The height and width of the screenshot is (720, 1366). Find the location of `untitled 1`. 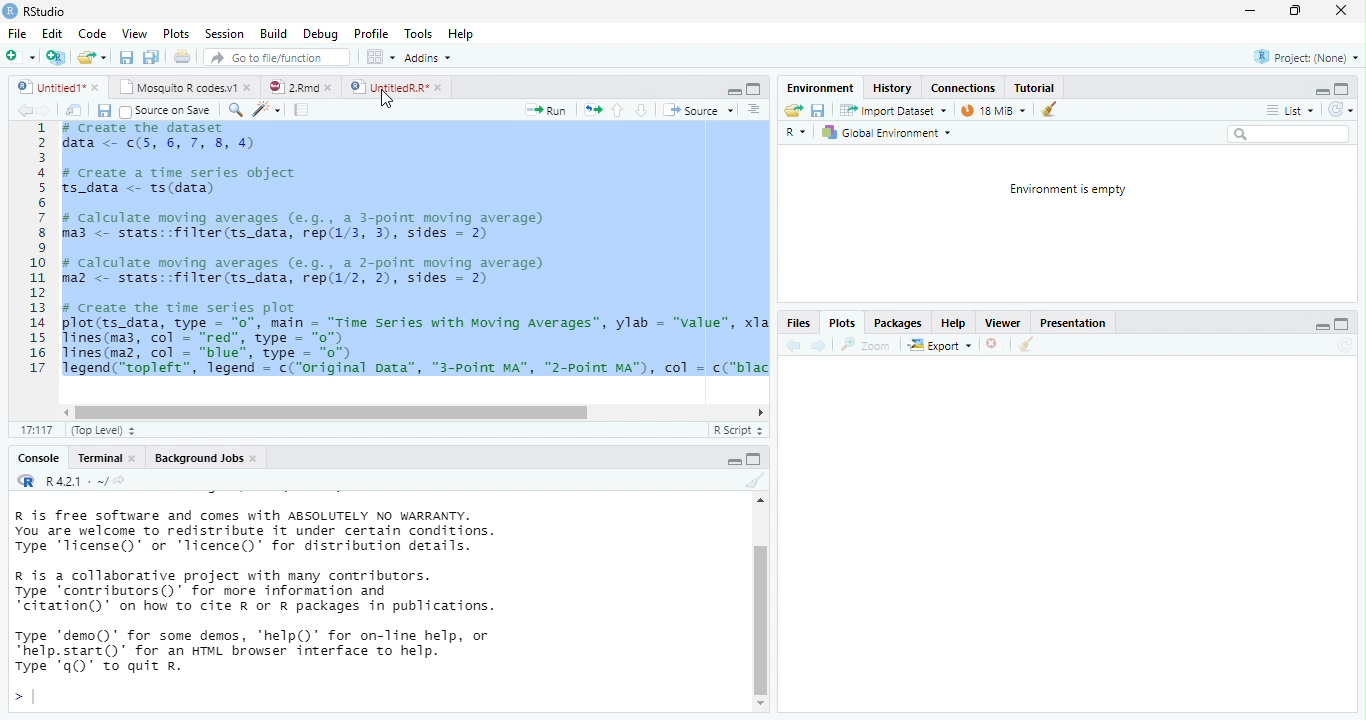

untitled 1 is located at coordinates (46, 86).